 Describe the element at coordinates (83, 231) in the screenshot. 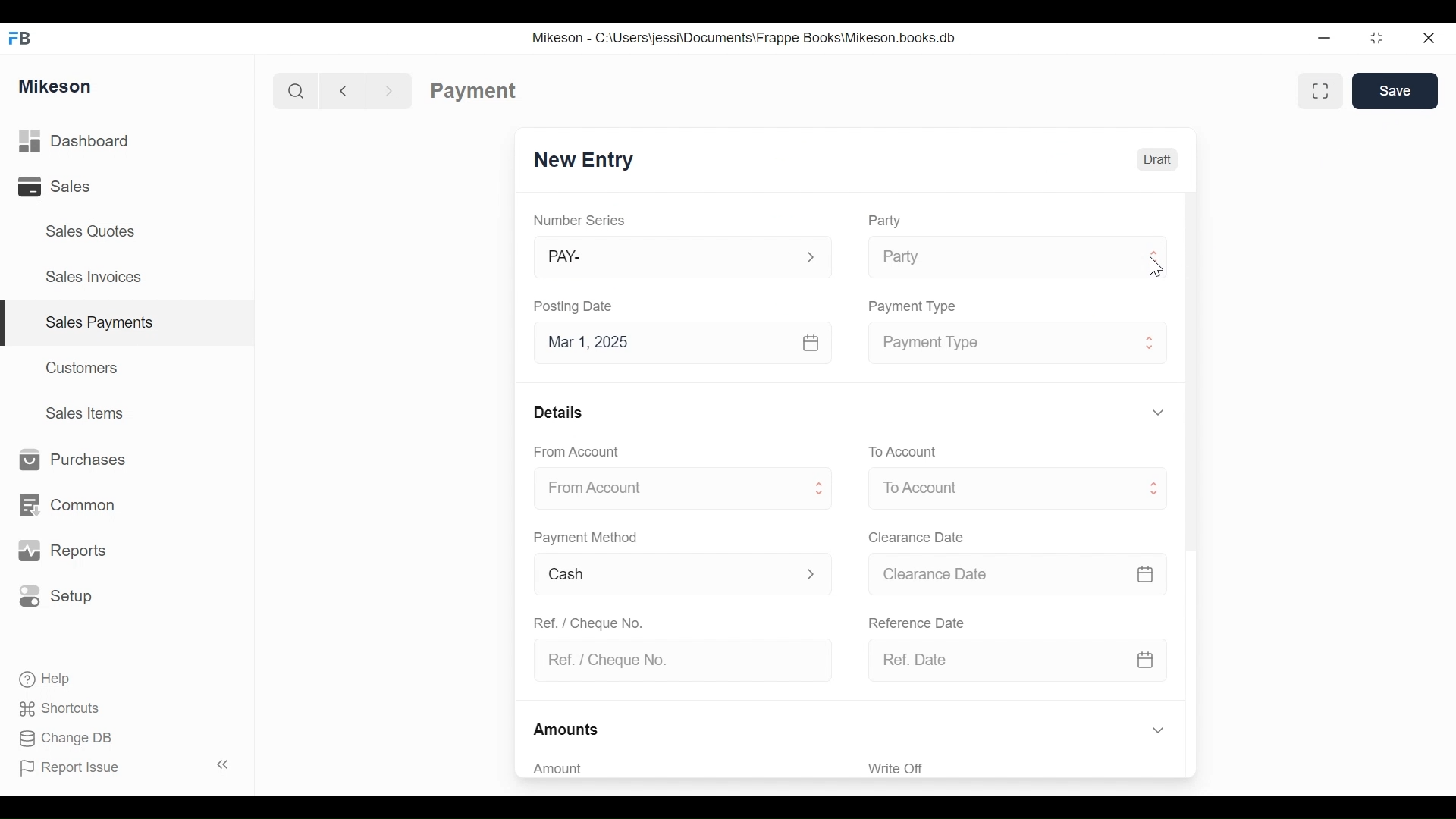

I see `Sales Quotes` at that location.